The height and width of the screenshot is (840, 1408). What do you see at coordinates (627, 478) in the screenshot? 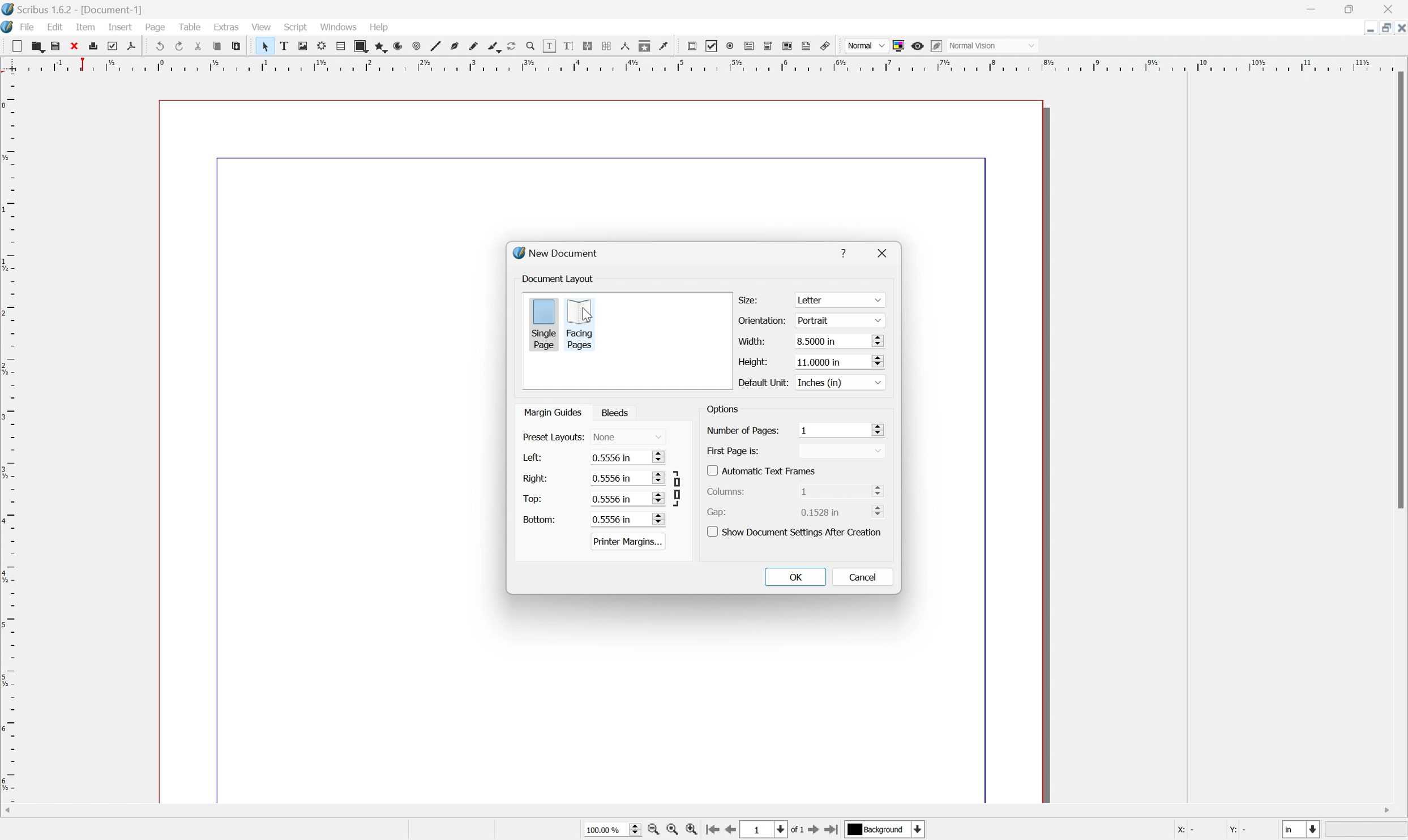
I see `0.5556 in` at bounding box center [627, 478].